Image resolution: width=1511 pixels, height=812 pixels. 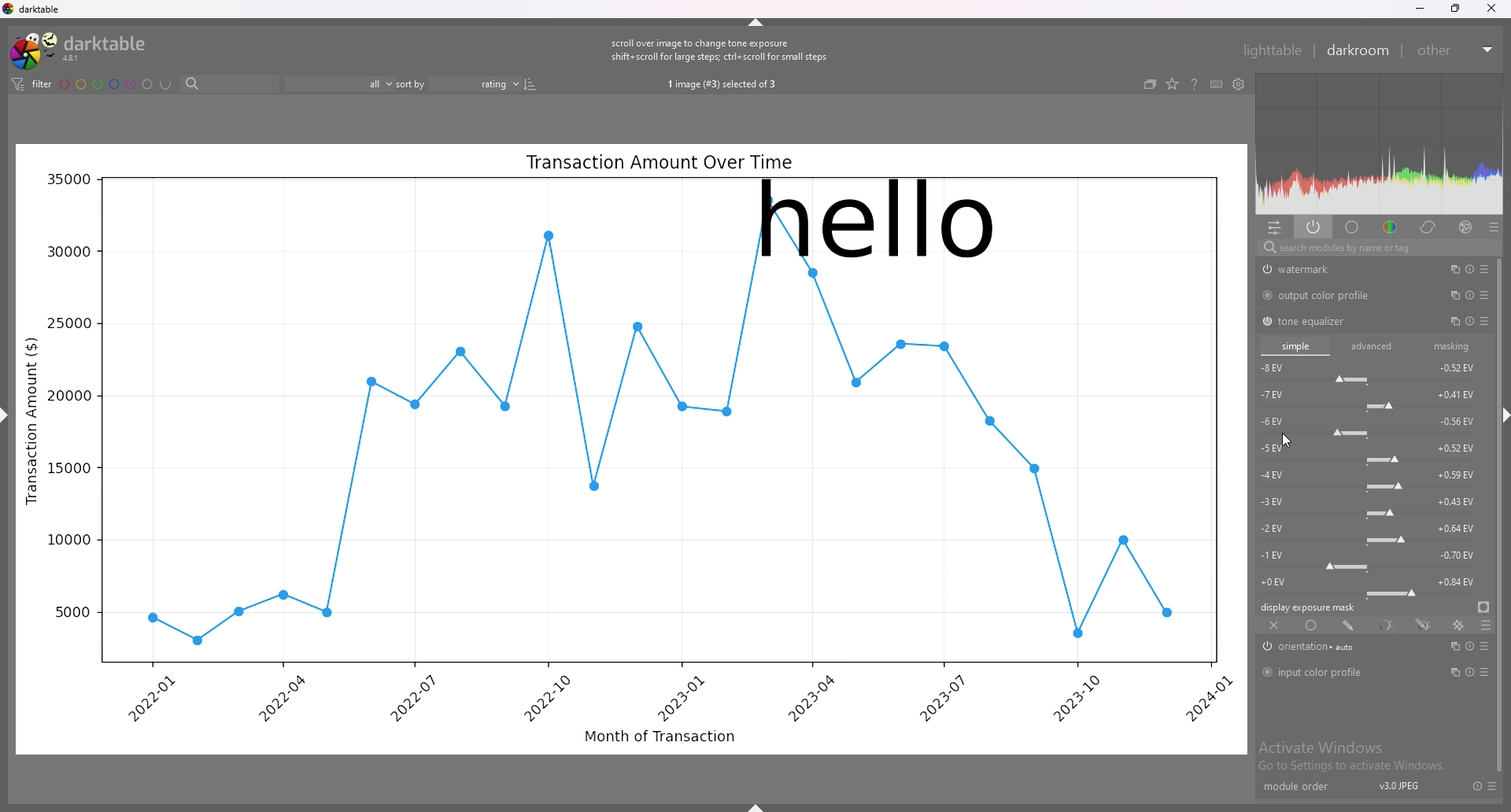 What do you see at coordinates (1484, 625) in the screenshot?
I see `blending options` at bounding box center [1484, 625].